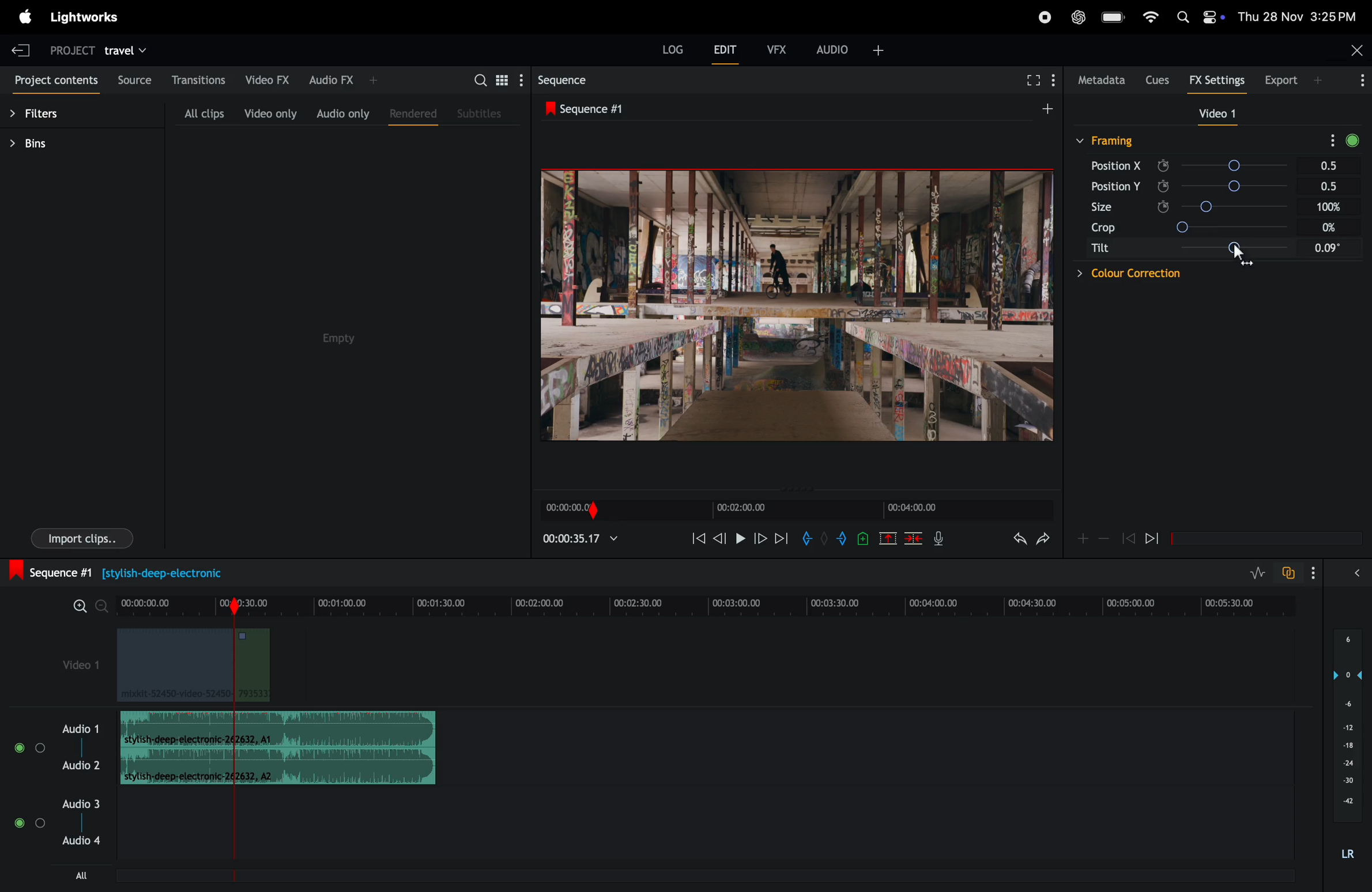 This screenshot has height=892, width=1372. Describe the element at coordinates (142, 571) in the screenshot. I see `sequence 1` at that location.